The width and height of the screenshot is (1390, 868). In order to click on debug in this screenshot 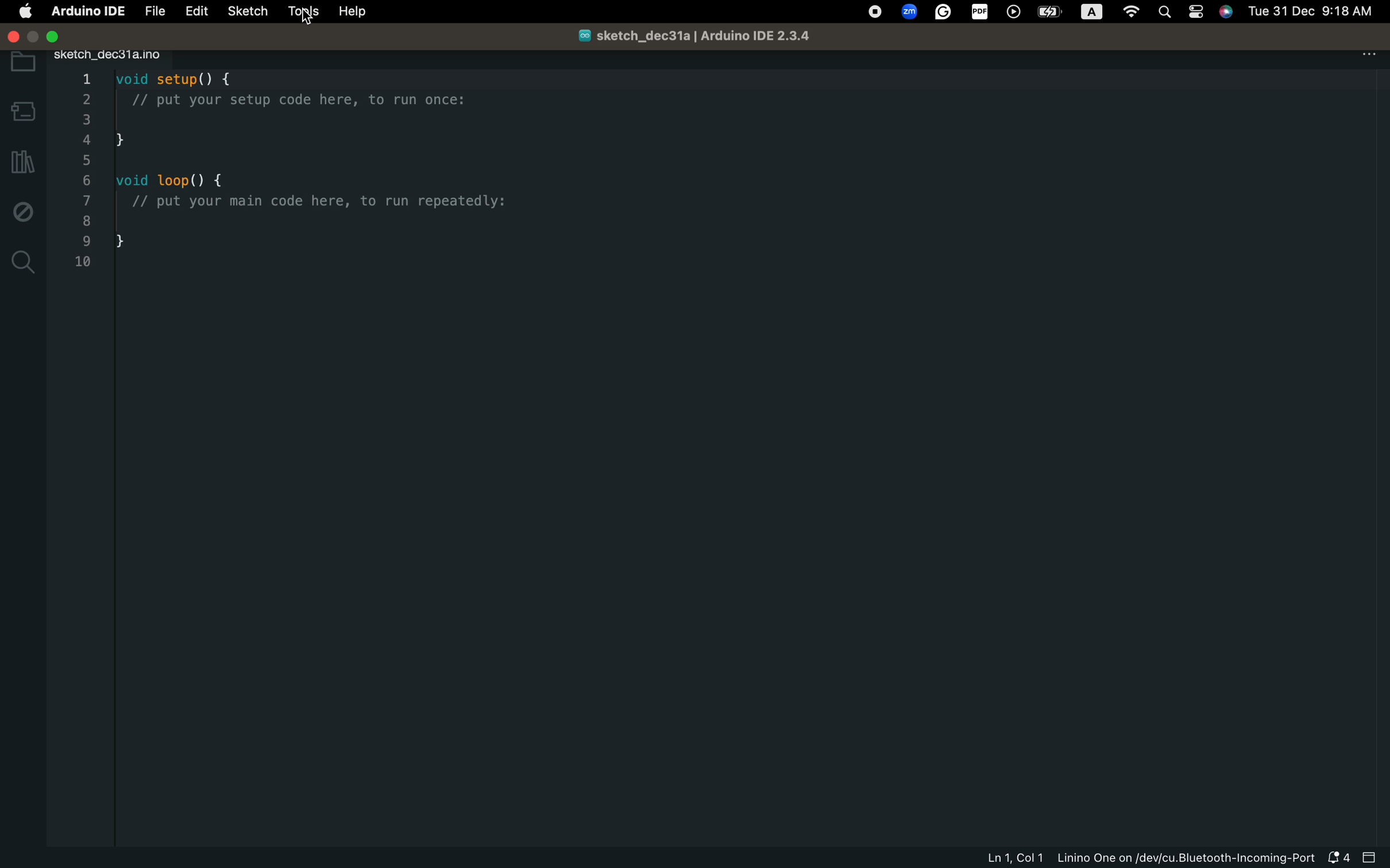, I will do `click(24, 211)`.